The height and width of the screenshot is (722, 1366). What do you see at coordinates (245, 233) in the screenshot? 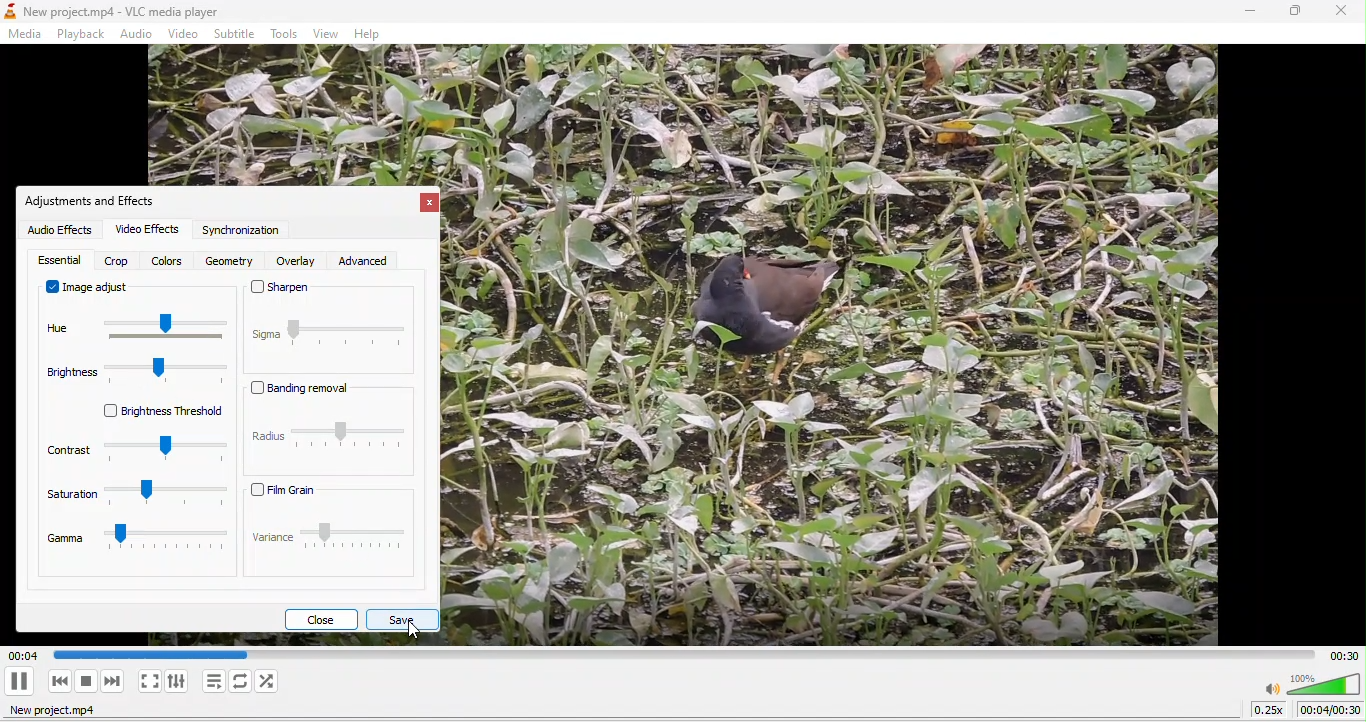
I see `synchronization` at bounding box center [245, 233].